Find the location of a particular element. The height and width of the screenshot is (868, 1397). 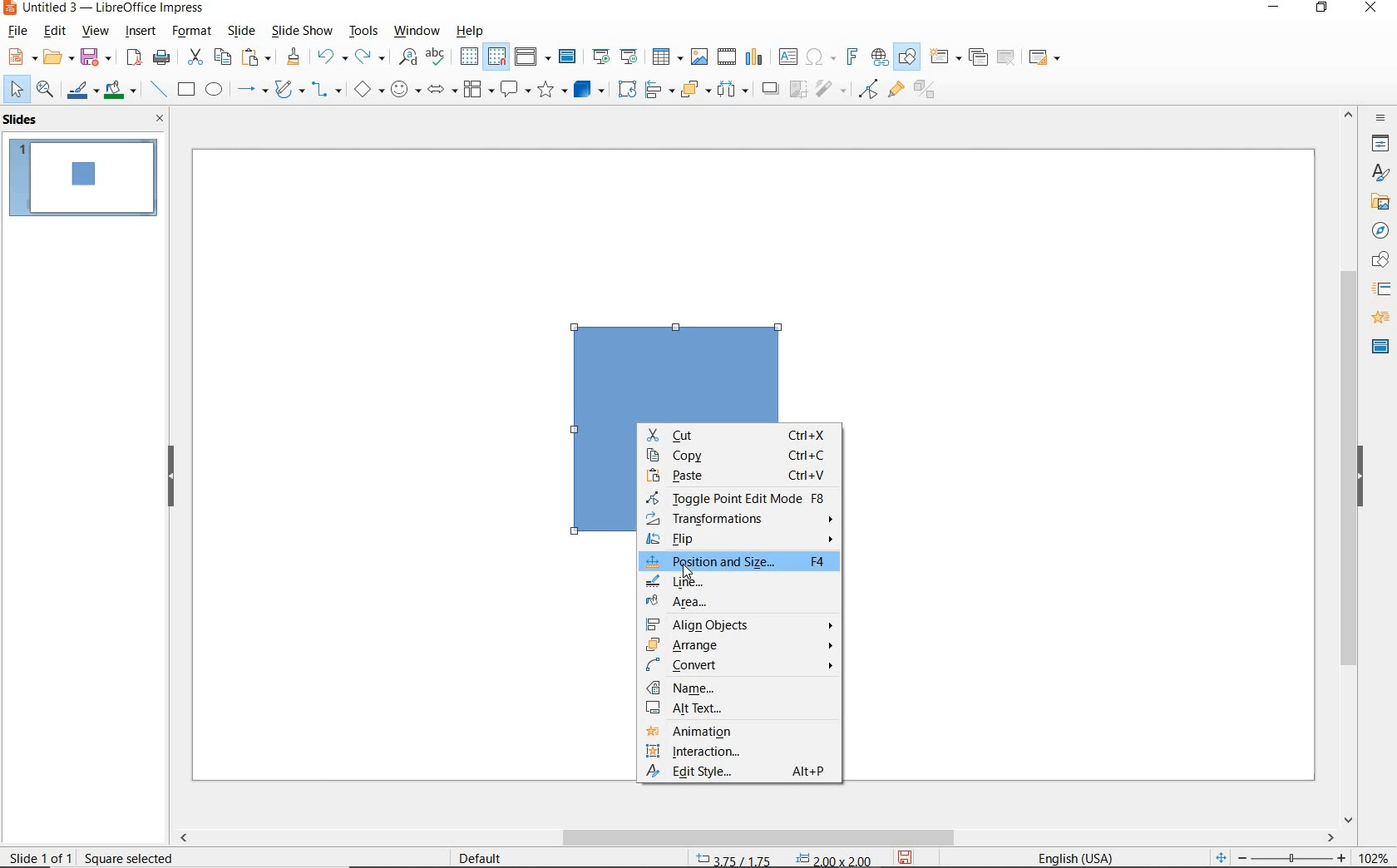

animation is located at coordinates (1380, 318).